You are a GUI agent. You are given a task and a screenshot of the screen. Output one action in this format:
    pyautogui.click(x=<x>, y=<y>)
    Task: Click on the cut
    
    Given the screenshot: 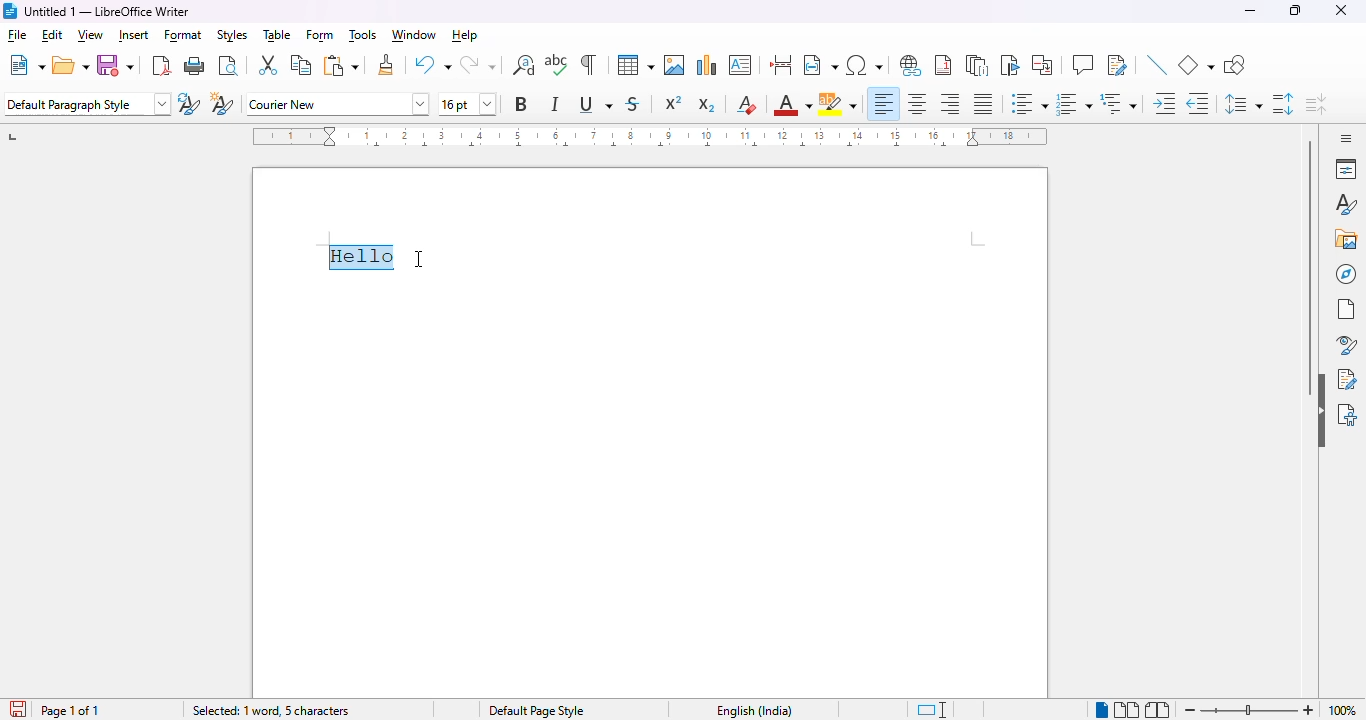 What is the action you would take?
    pyautogui.click(x=268, y=65)
    